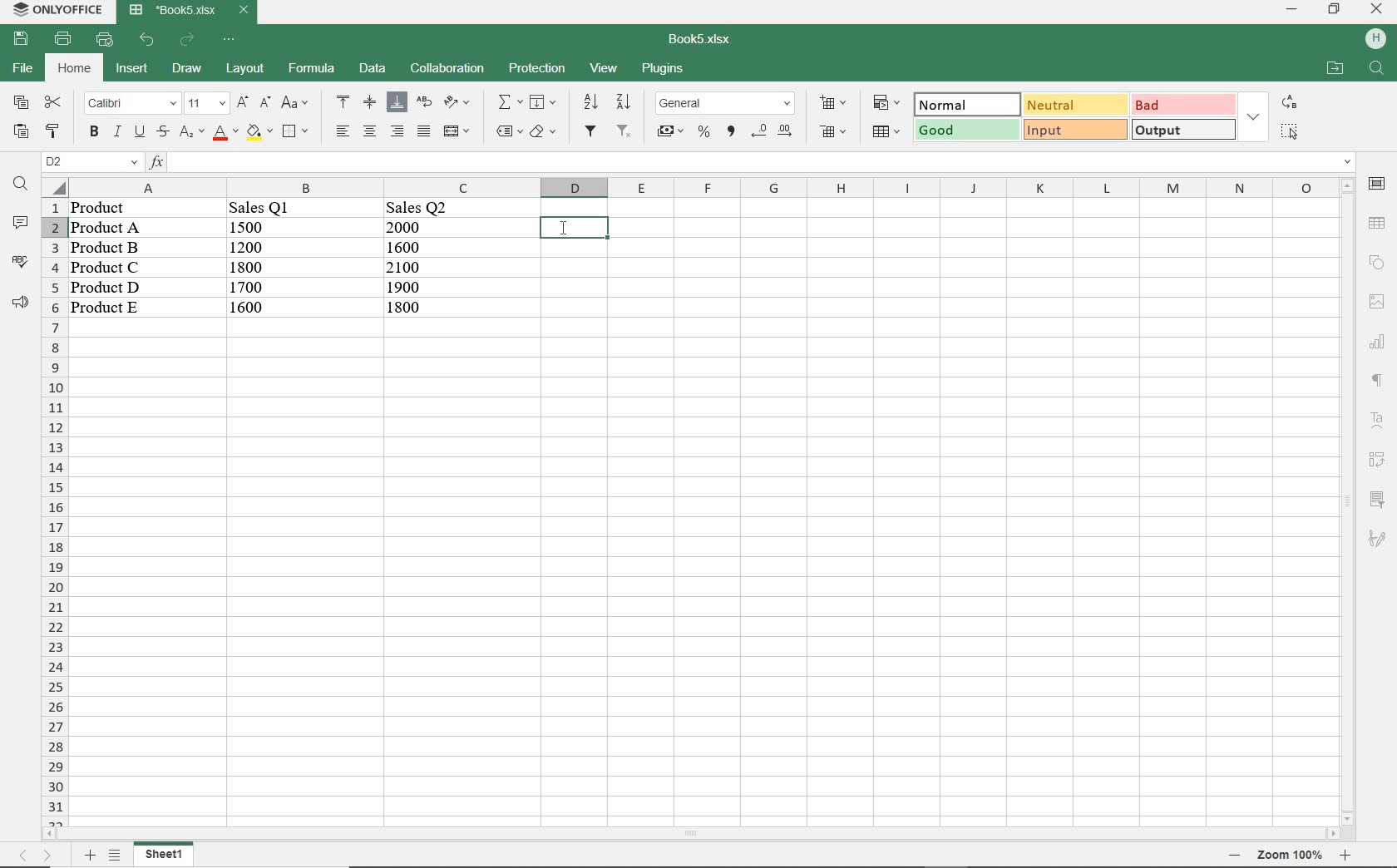 This screenshot has height=868, width=1397. What do you see at coordinates (670, 131) in the screenshot?
I see `accounting style` at bounding box center [670, 131].